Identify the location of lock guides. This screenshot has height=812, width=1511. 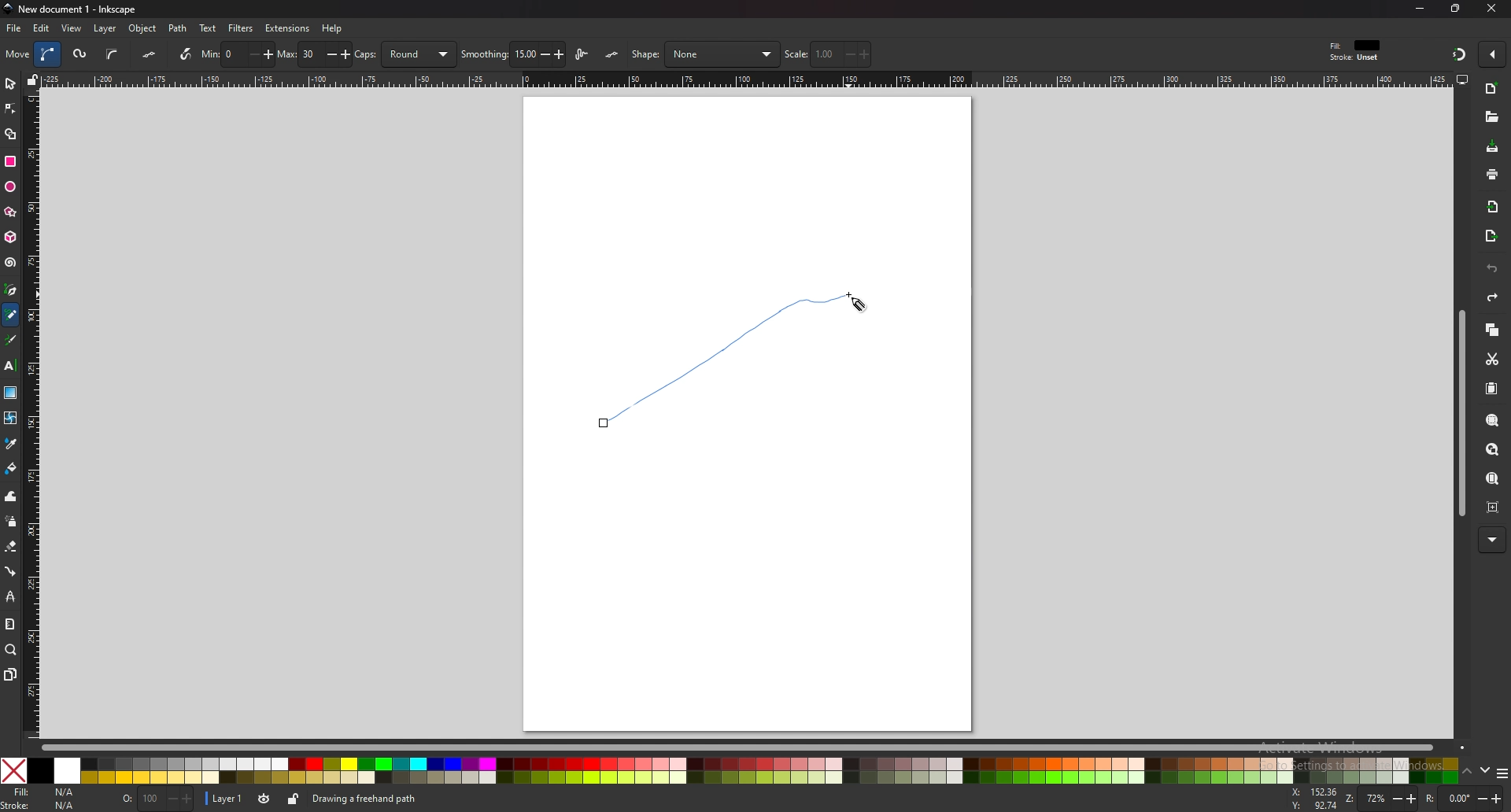
(32, 79).